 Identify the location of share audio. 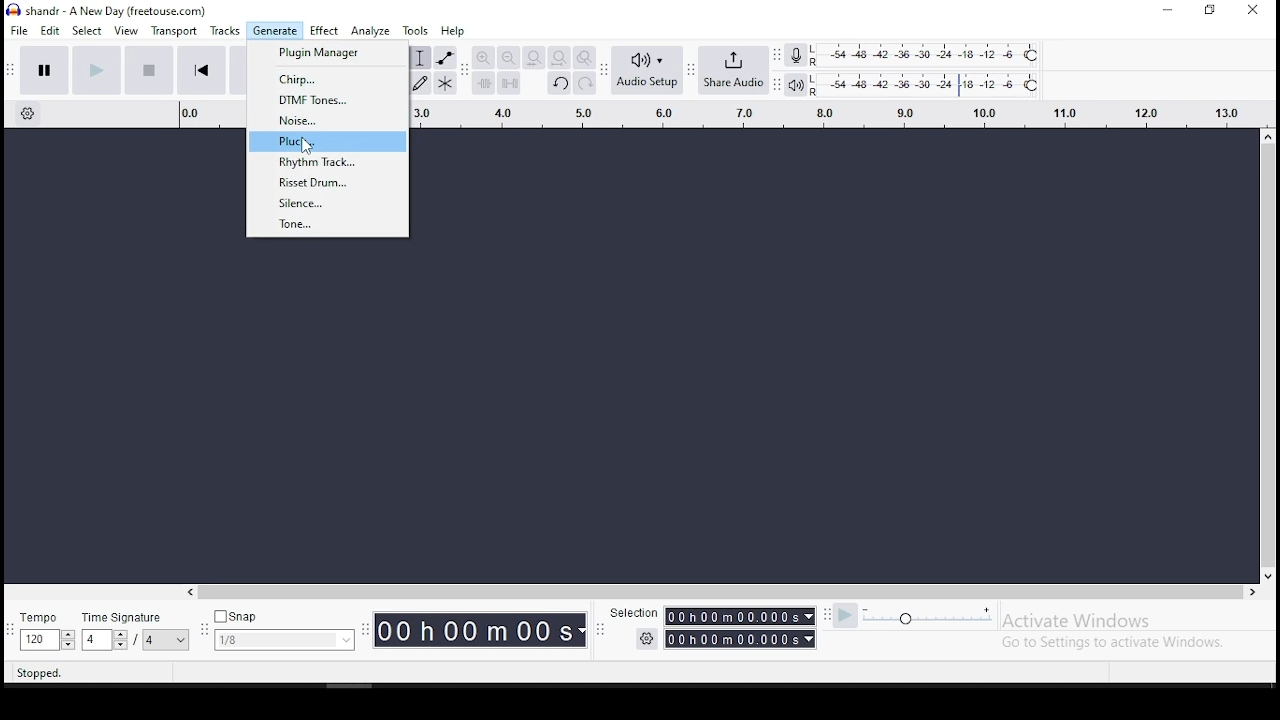
(733, 69).